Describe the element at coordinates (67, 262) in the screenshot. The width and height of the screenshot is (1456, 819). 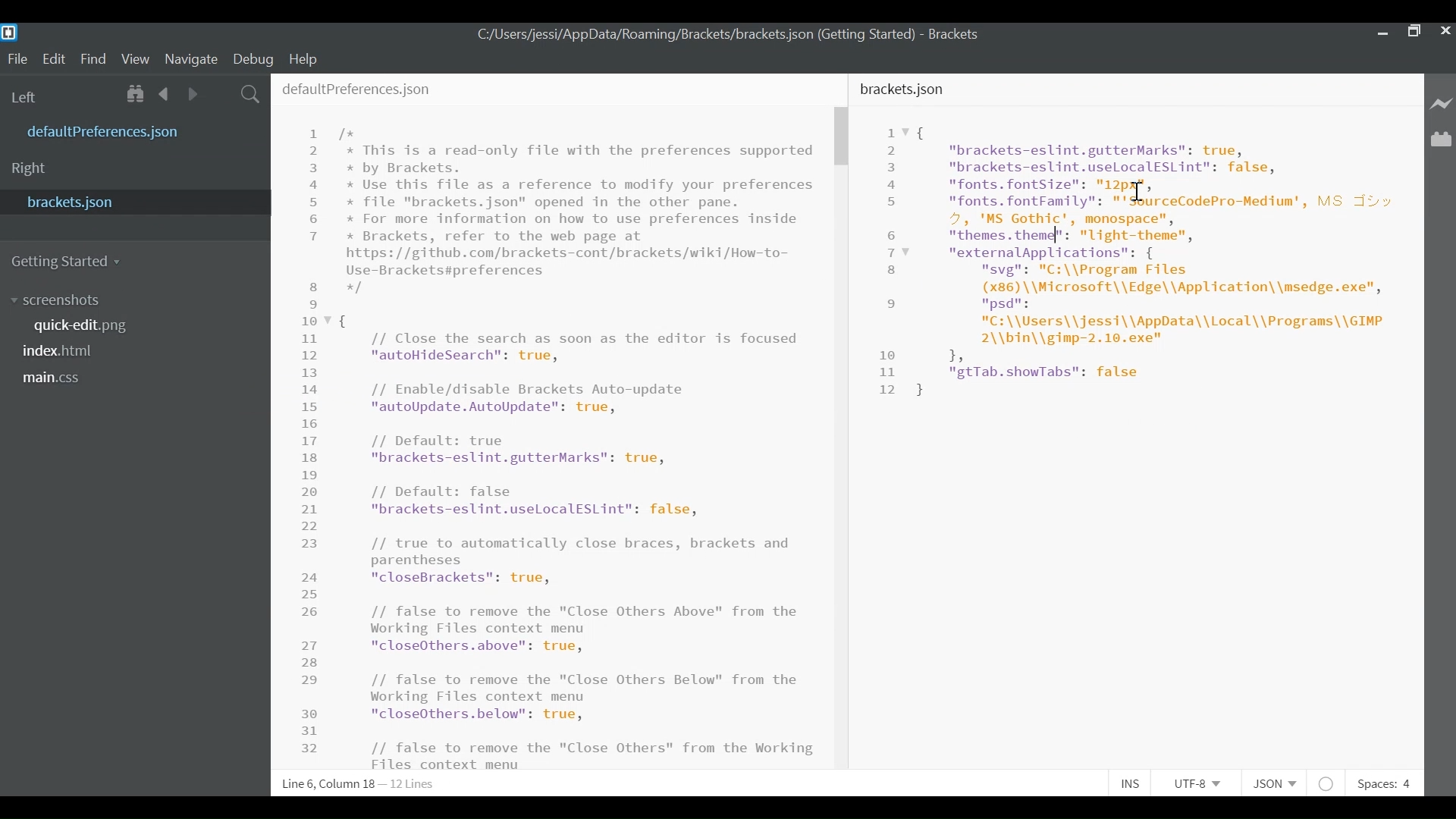
I see `Getting Started` at that location.